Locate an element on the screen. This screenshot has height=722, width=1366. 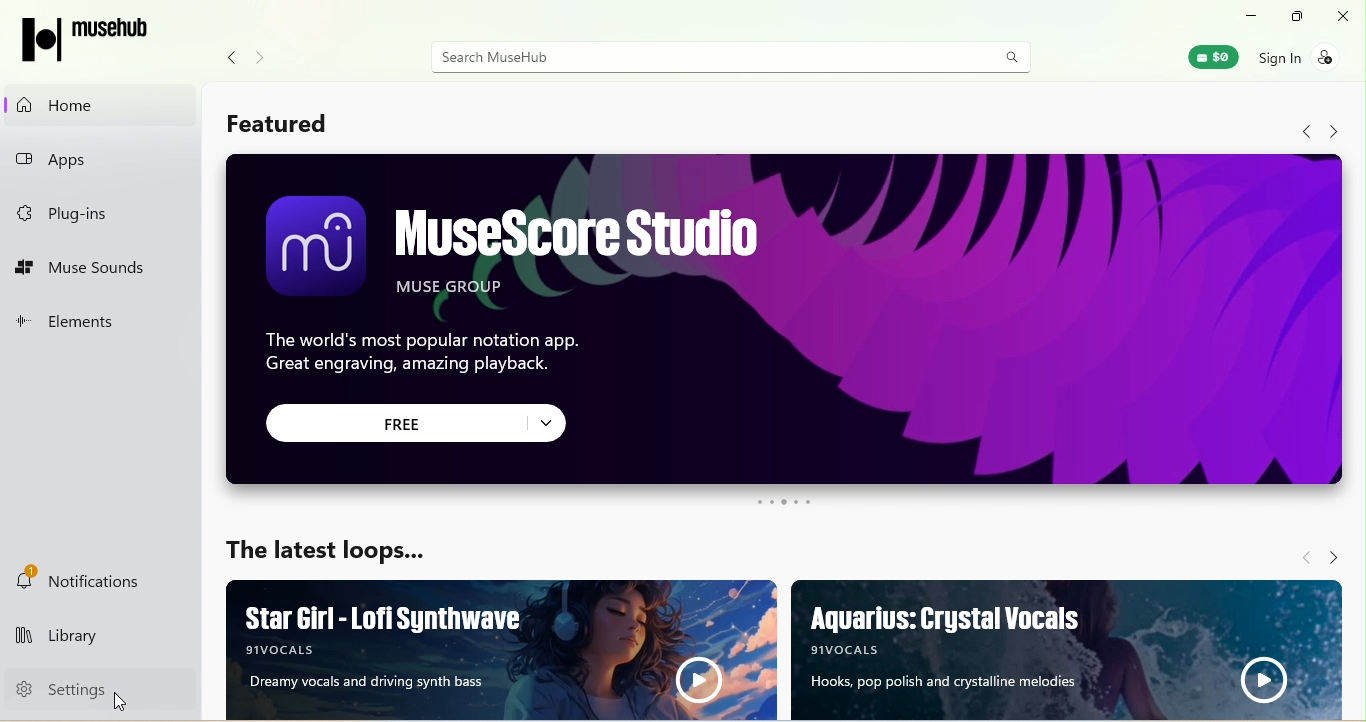
Plug-ins is located at coordinates (94, 214).